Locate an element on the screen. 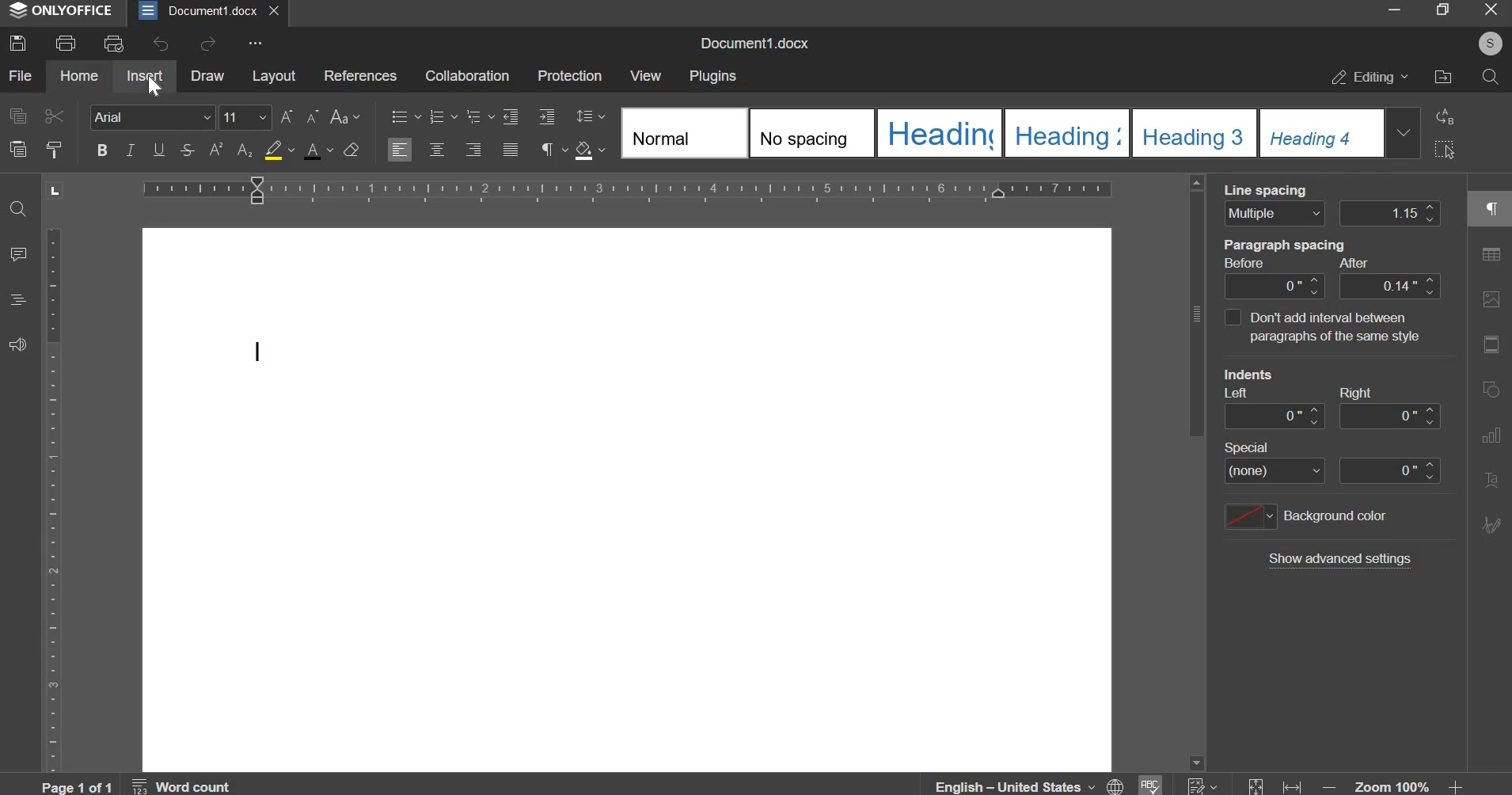 The image size is (1512, 795). vertical slider is located at coordinates (1196, 473).